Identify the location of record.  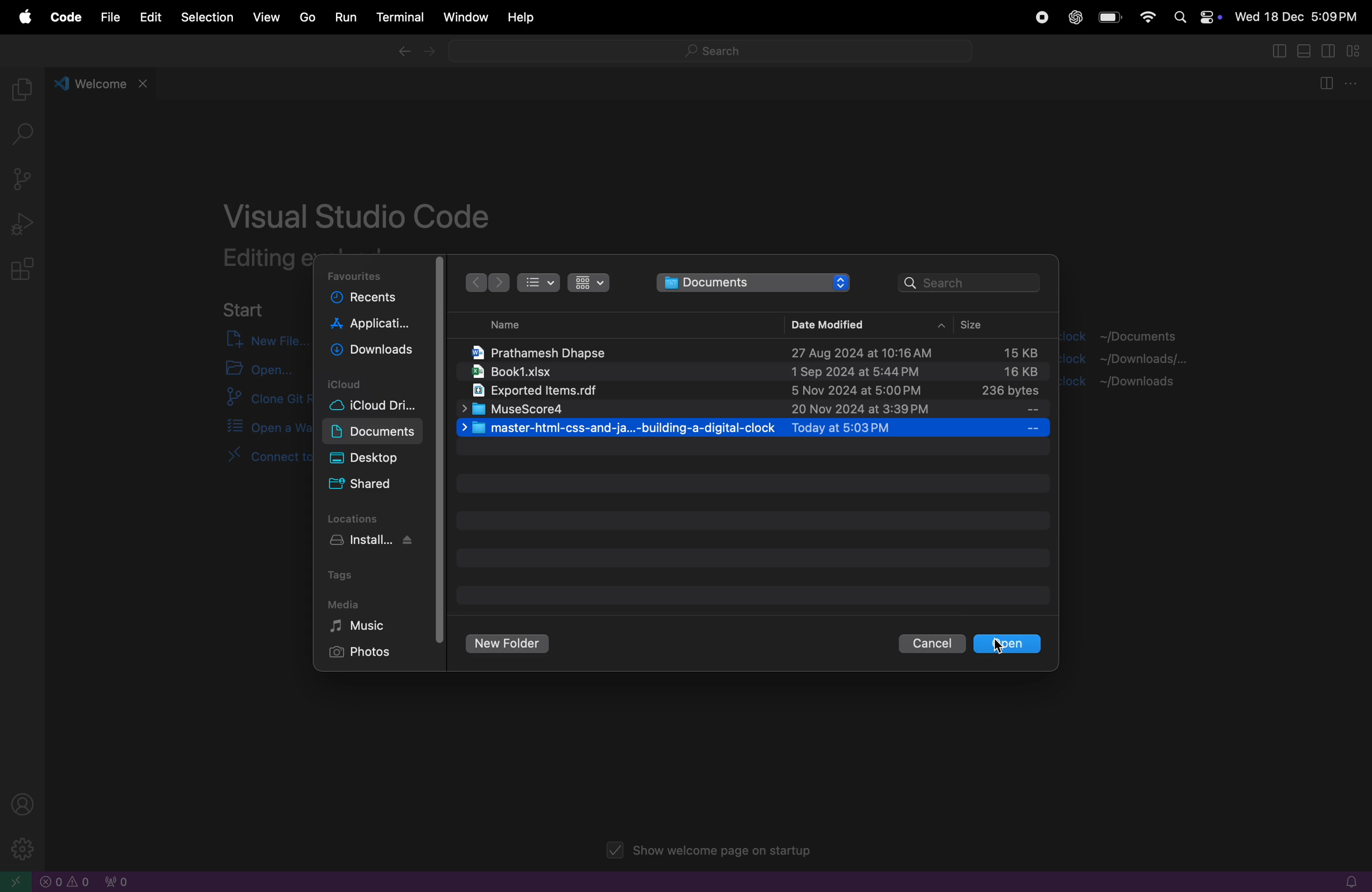
(1039, 18).